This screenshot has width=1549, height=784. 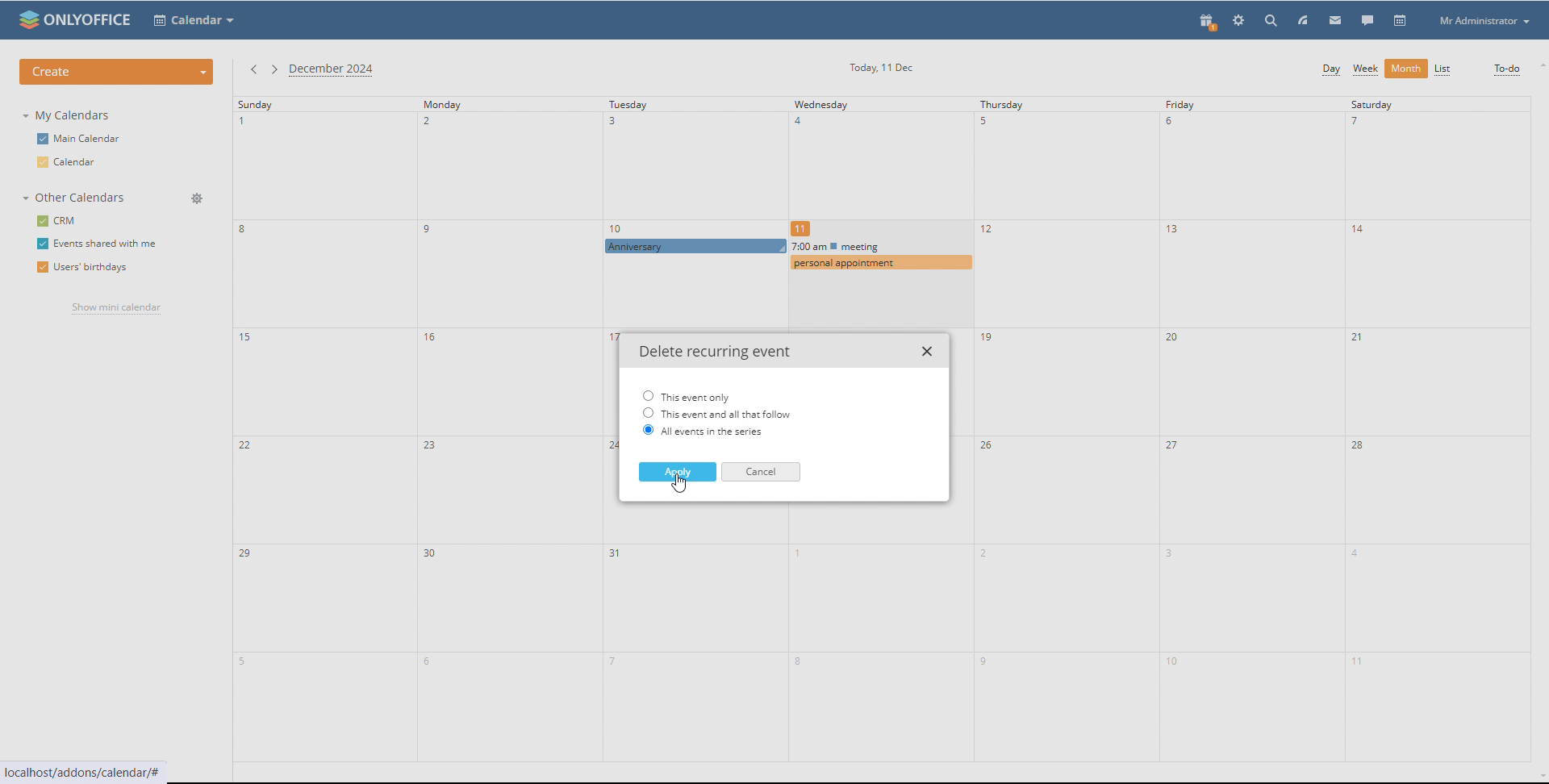 I want to click on sunday, so click(x=325, y=429).